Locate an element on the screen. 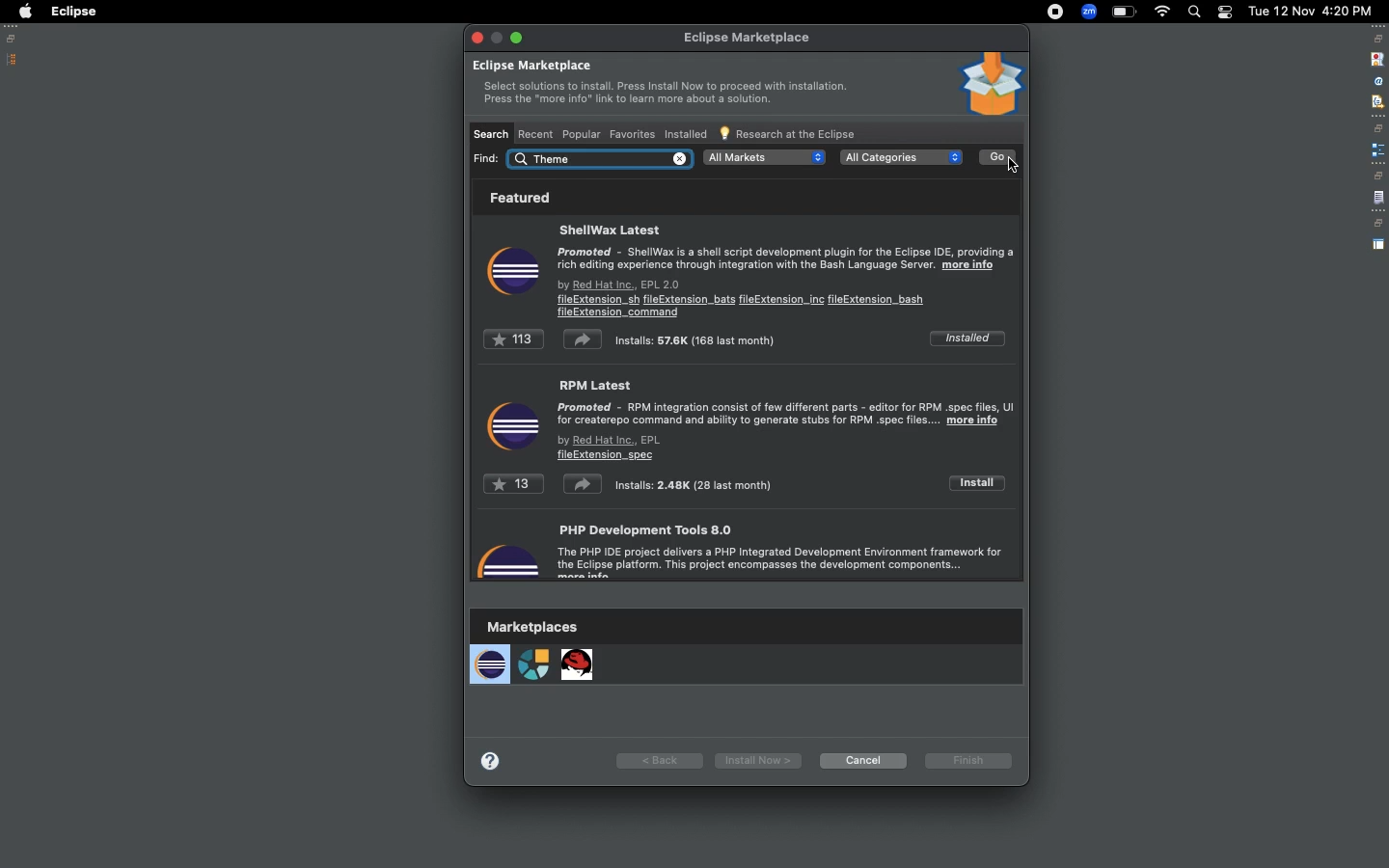 The height and width of the screenshot is (868, 1389). perspective is located at coordinates (1378, 245).